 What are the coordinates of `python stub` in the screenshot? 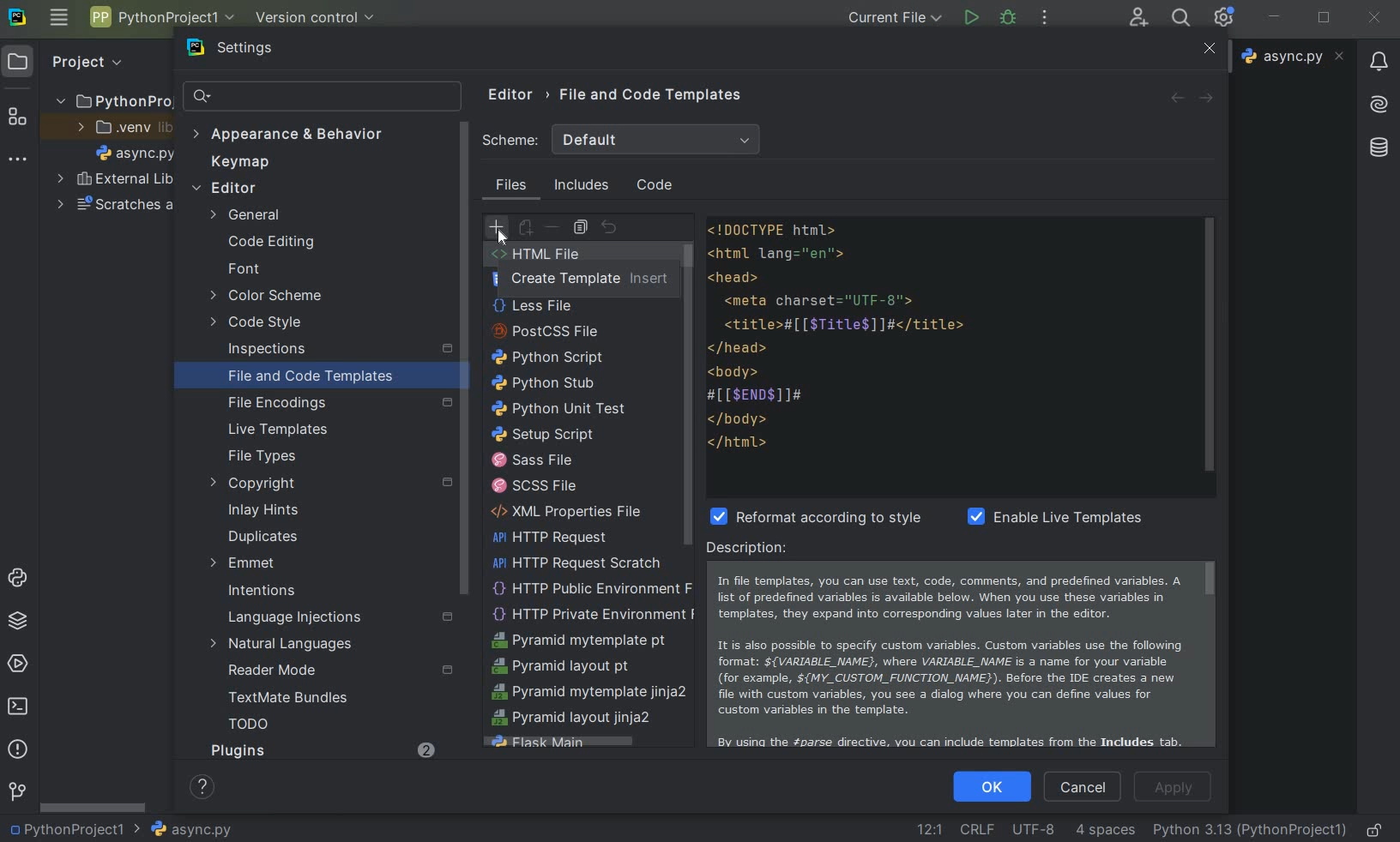 It's located at (546, 383).